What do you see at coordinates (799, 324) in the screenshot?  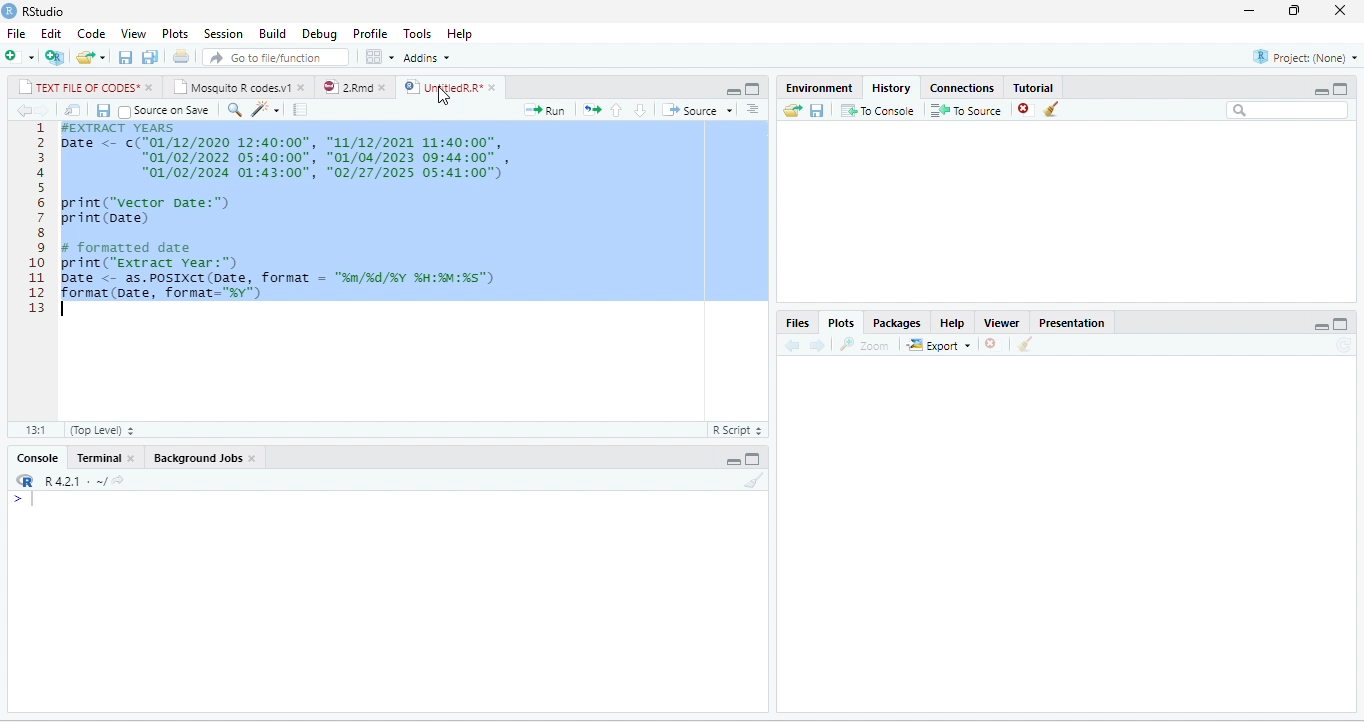 I see `Files` at bounding box center [799, 324].